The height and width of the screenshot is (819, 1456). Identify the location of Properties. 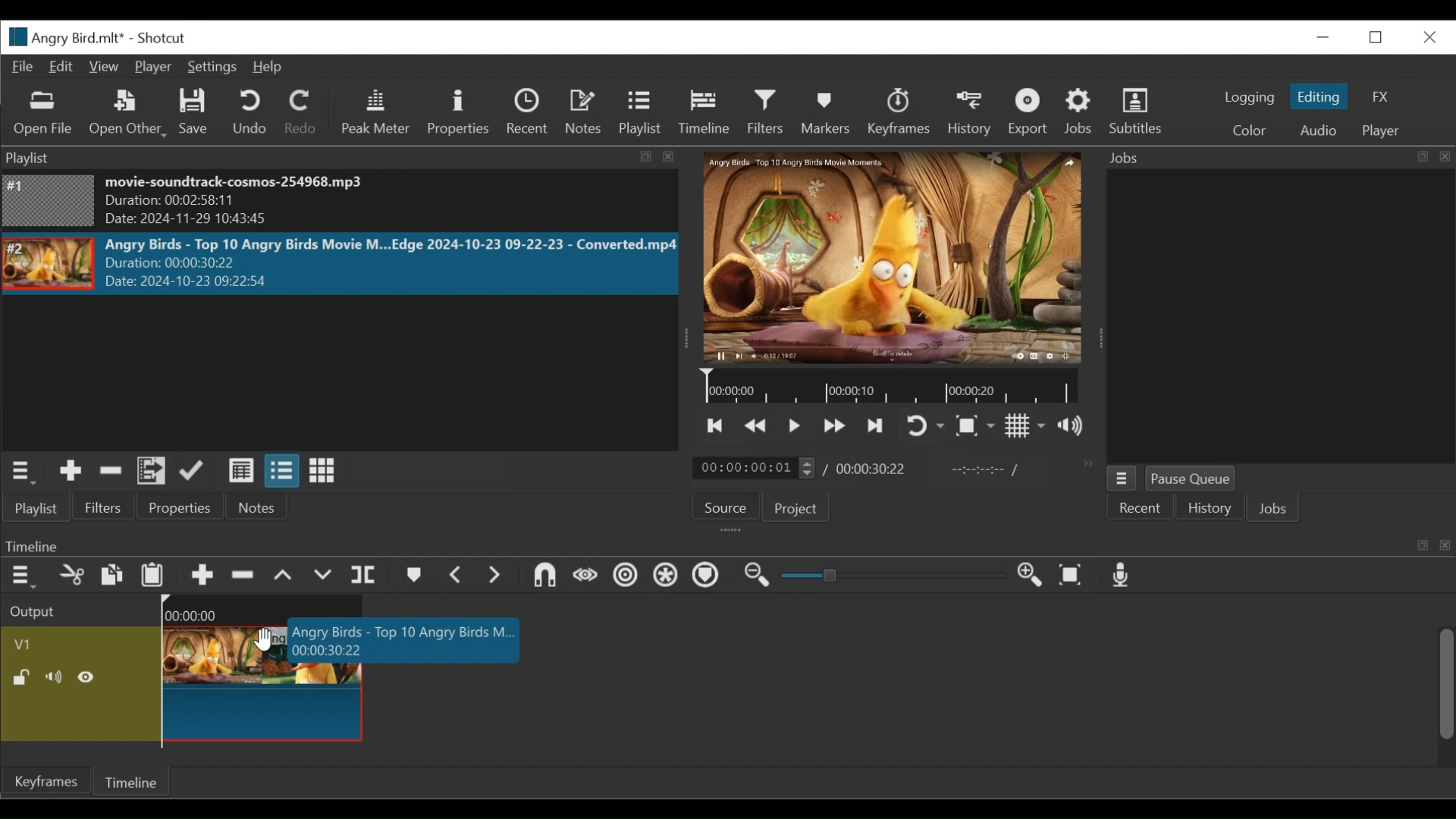
(458, 111).